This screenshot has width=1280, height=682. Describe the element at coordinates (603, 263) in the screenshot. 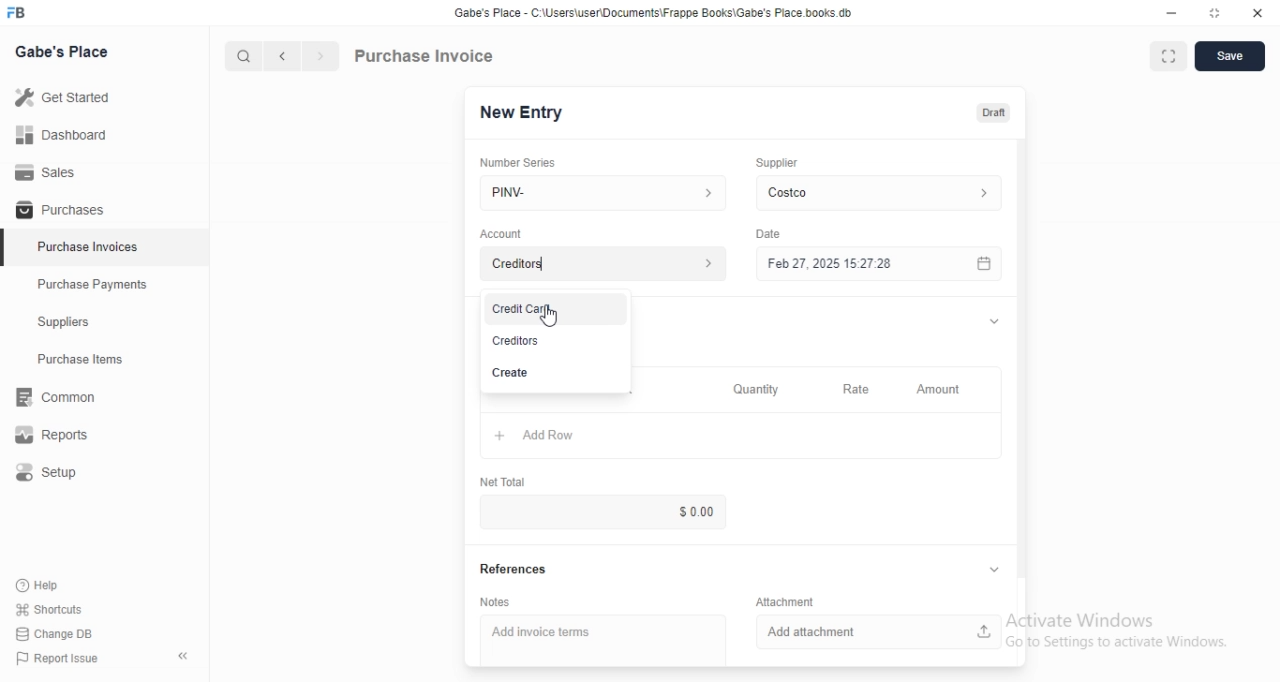

I see `Creditors` at that location.